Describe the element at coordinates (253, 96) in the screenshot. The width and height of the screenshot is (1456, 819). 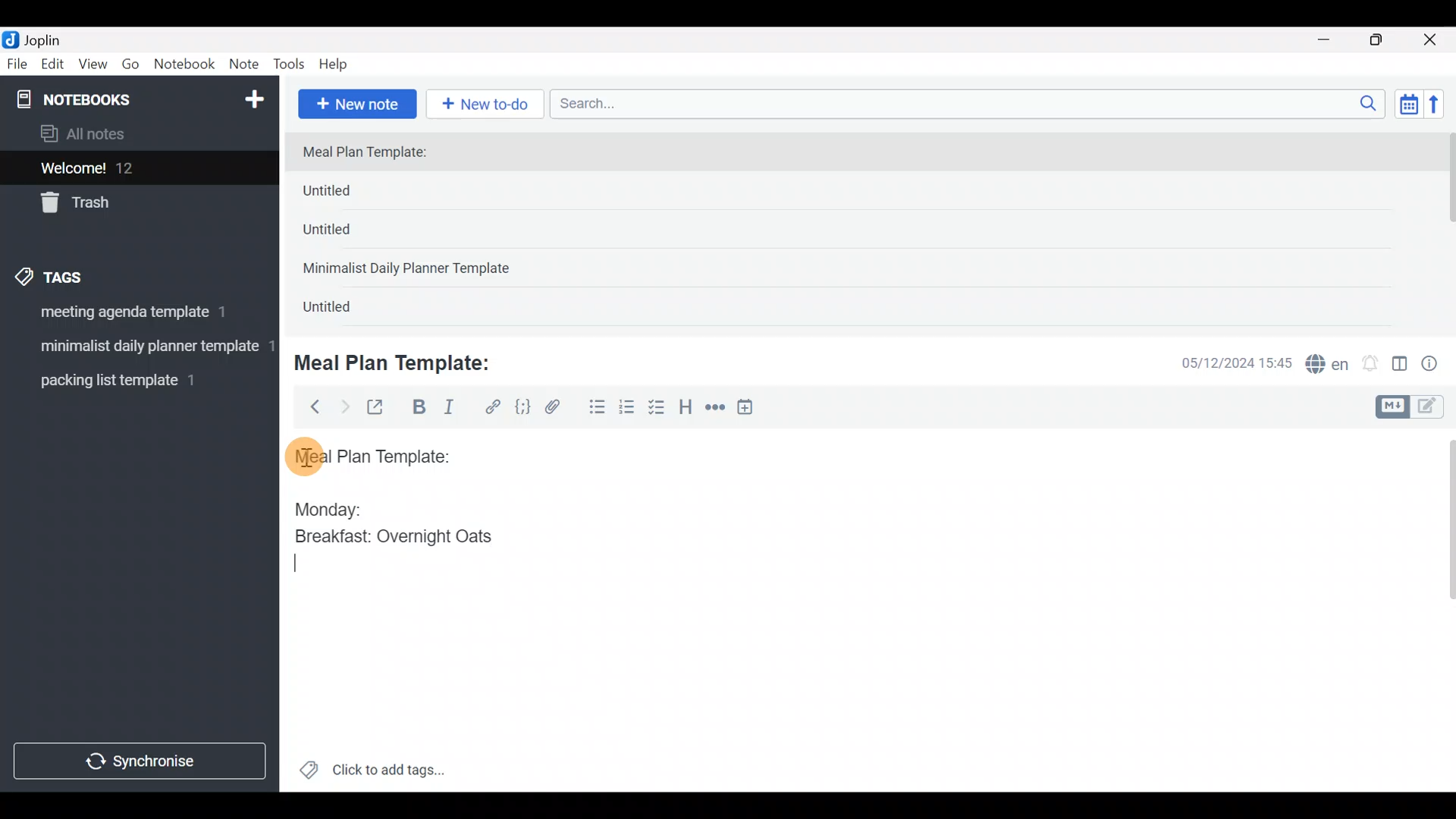
I see `New` at that location.